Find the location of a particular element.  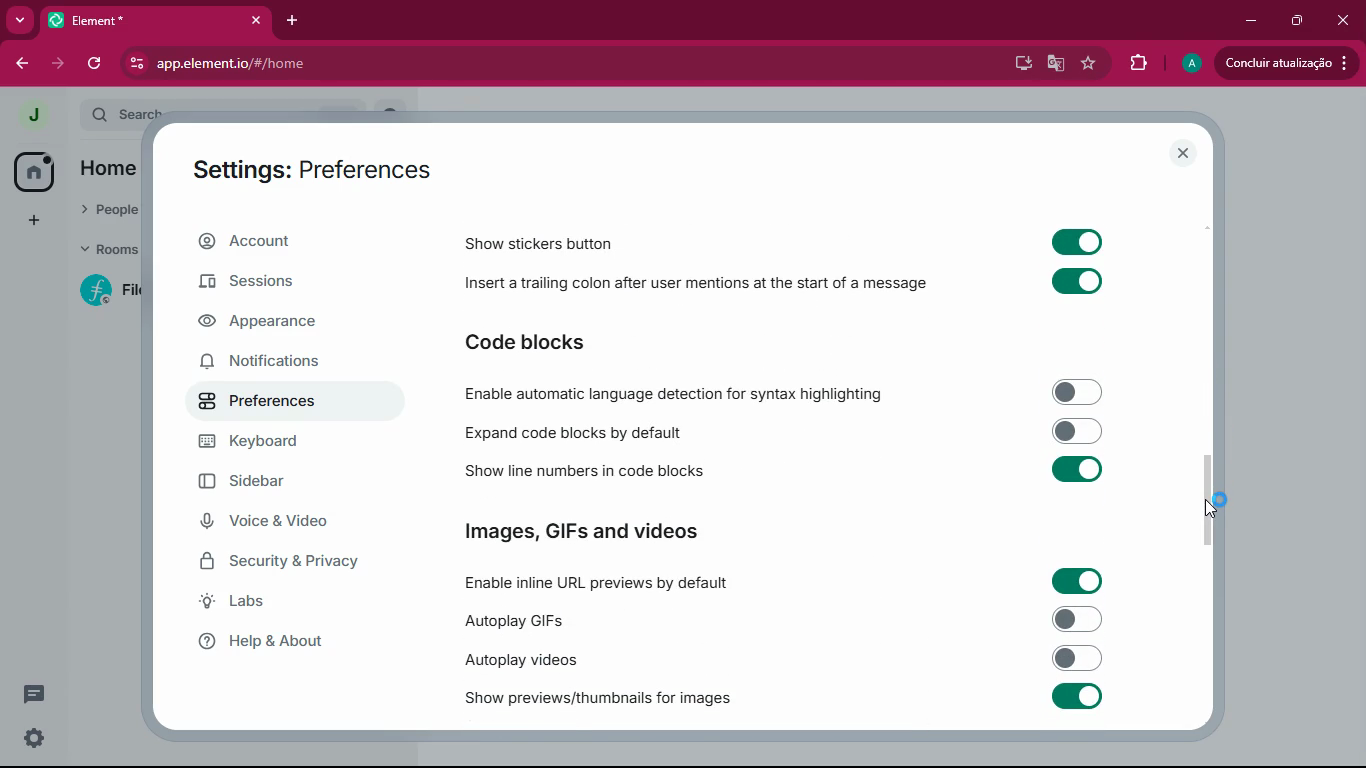

Toggle off is located at coordinates (1076, 392).